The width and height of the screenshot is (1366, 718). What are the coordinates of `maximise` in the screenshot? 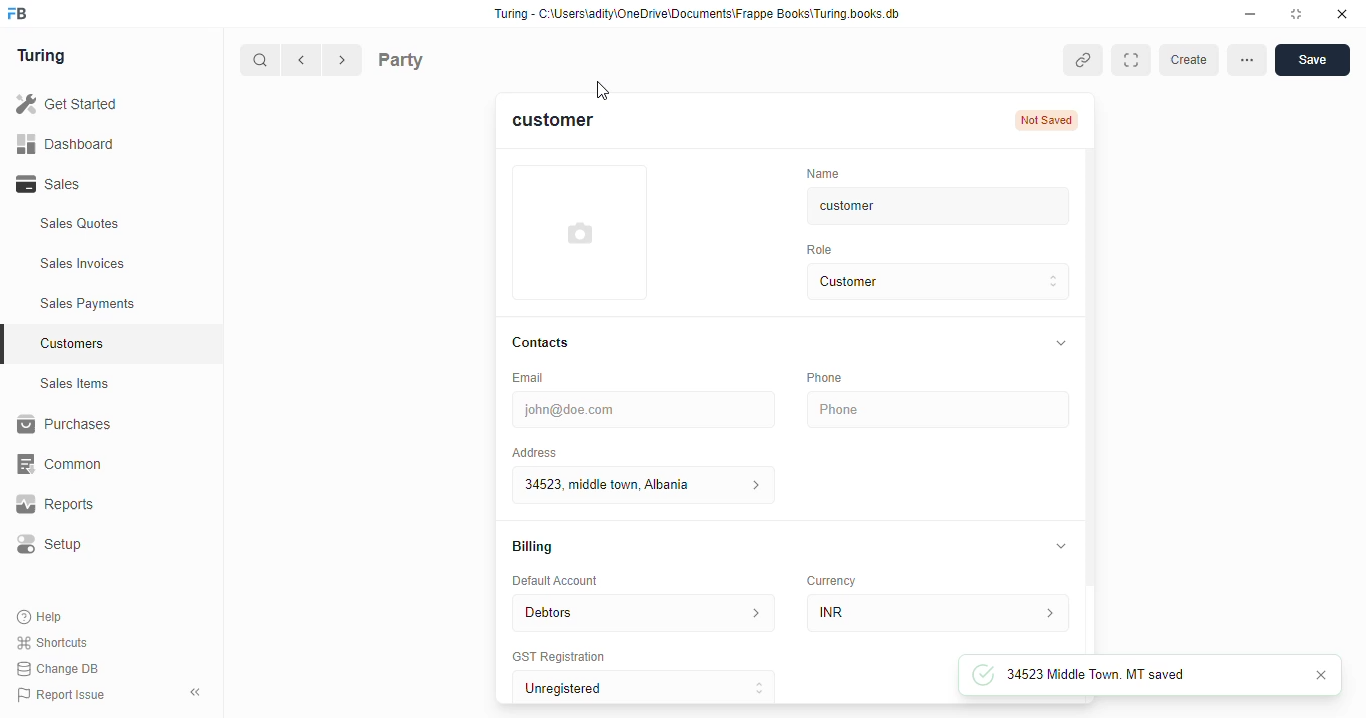 It's located at (1300, 14).